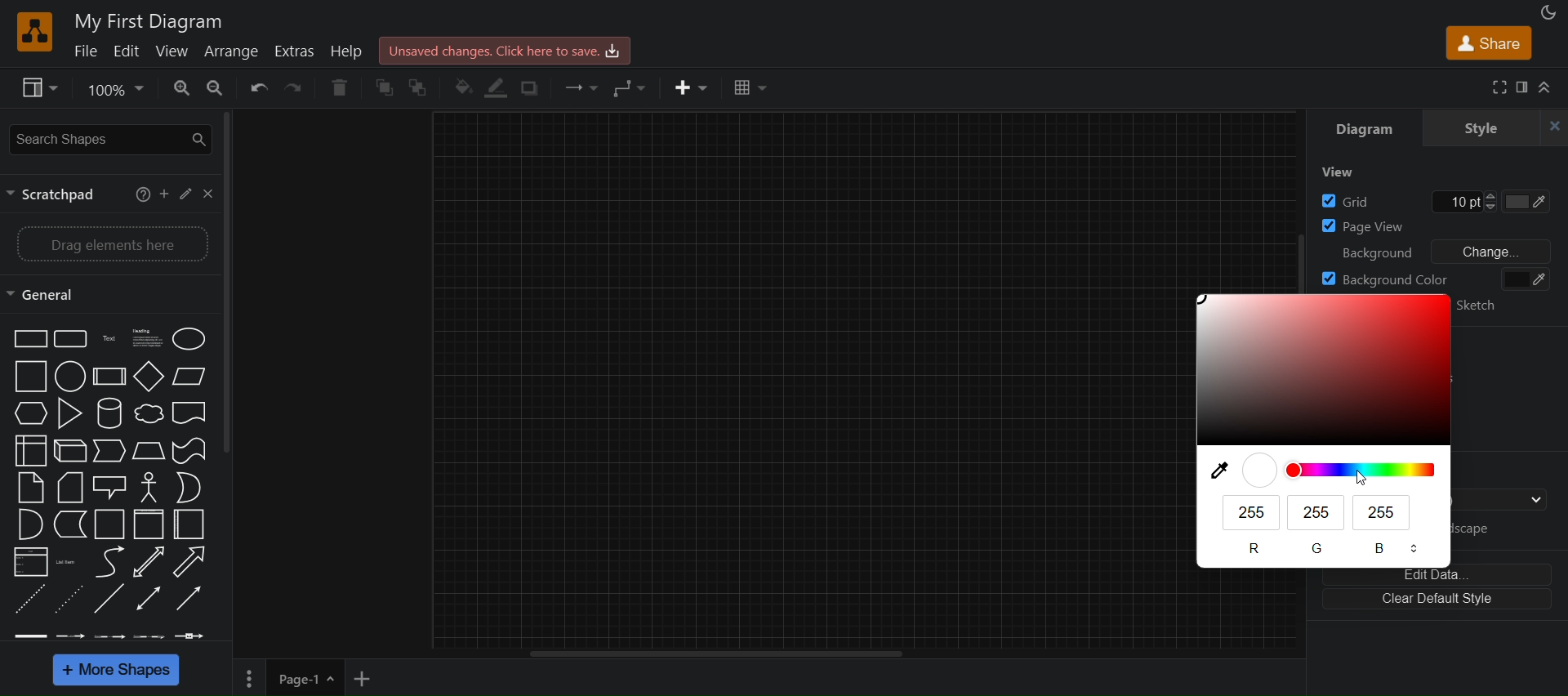 The image size is (1568, 696). I want to click on background, so click(1430, 279).